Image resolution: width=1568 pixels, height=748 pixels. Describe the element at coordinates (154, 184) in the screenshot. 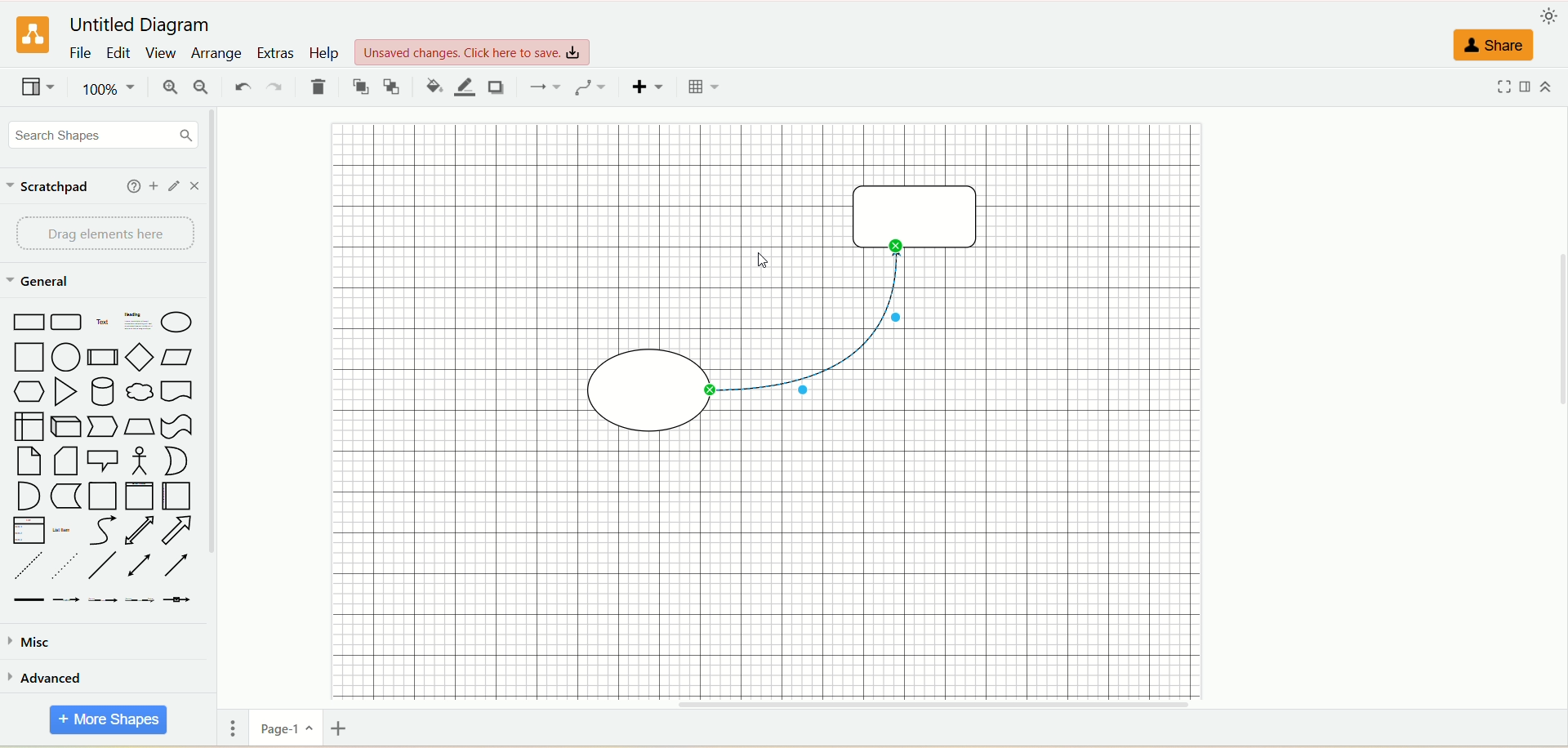

I see `add` at that location.